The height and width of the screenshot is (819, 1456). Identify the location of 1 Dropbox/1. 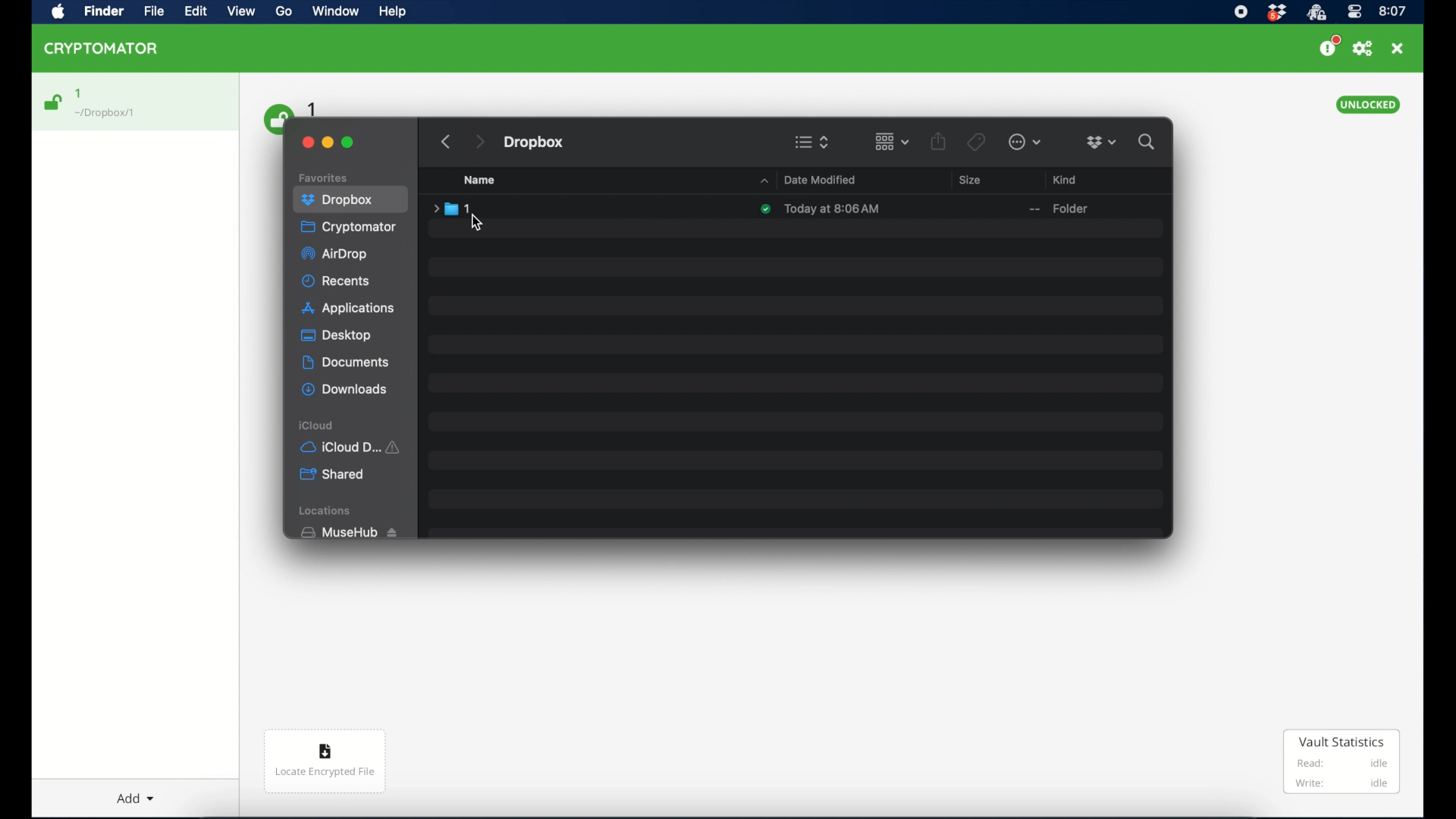
(115, 104).